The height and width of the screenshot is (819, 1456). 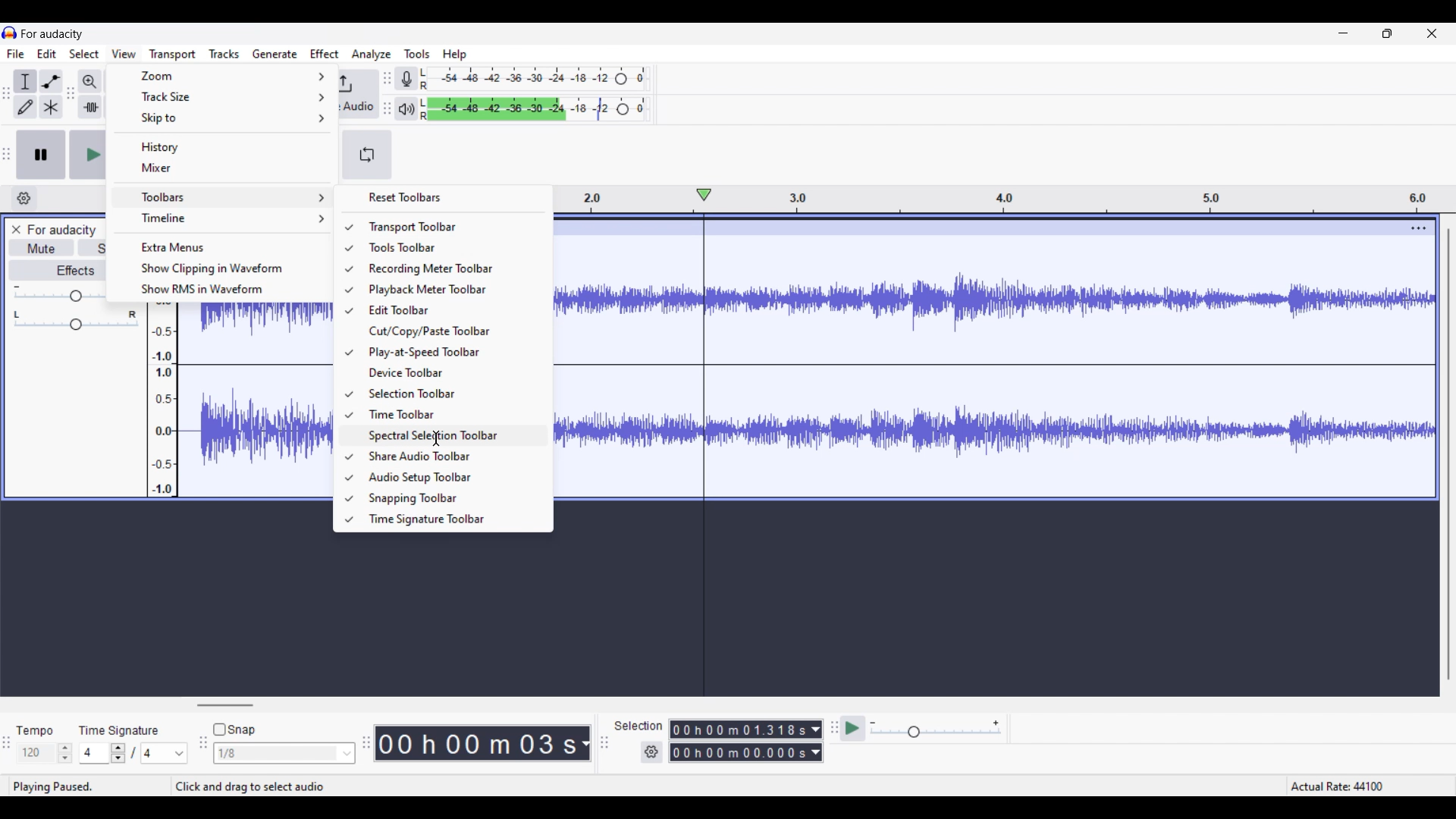 What do you see at coordinates (34, 731) in the screenshot?
I see `Indicates Tempo settings` at bounding box center [34, 731].